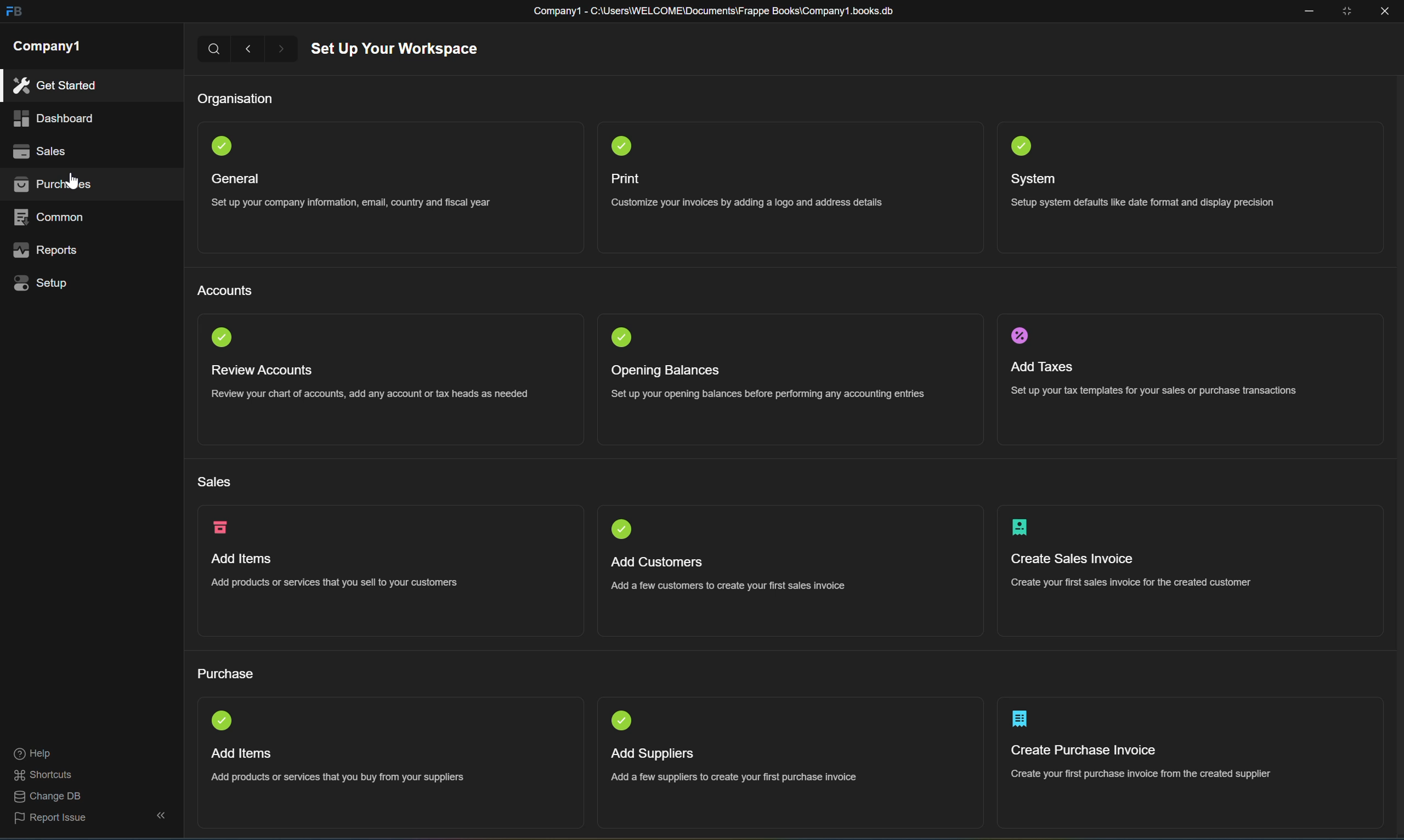 The width and height of the screenshot is (1404, 840). What do you see at coordinates (624, 721) in the screenshot?
I see `logo` at bounding box center [624, 721].